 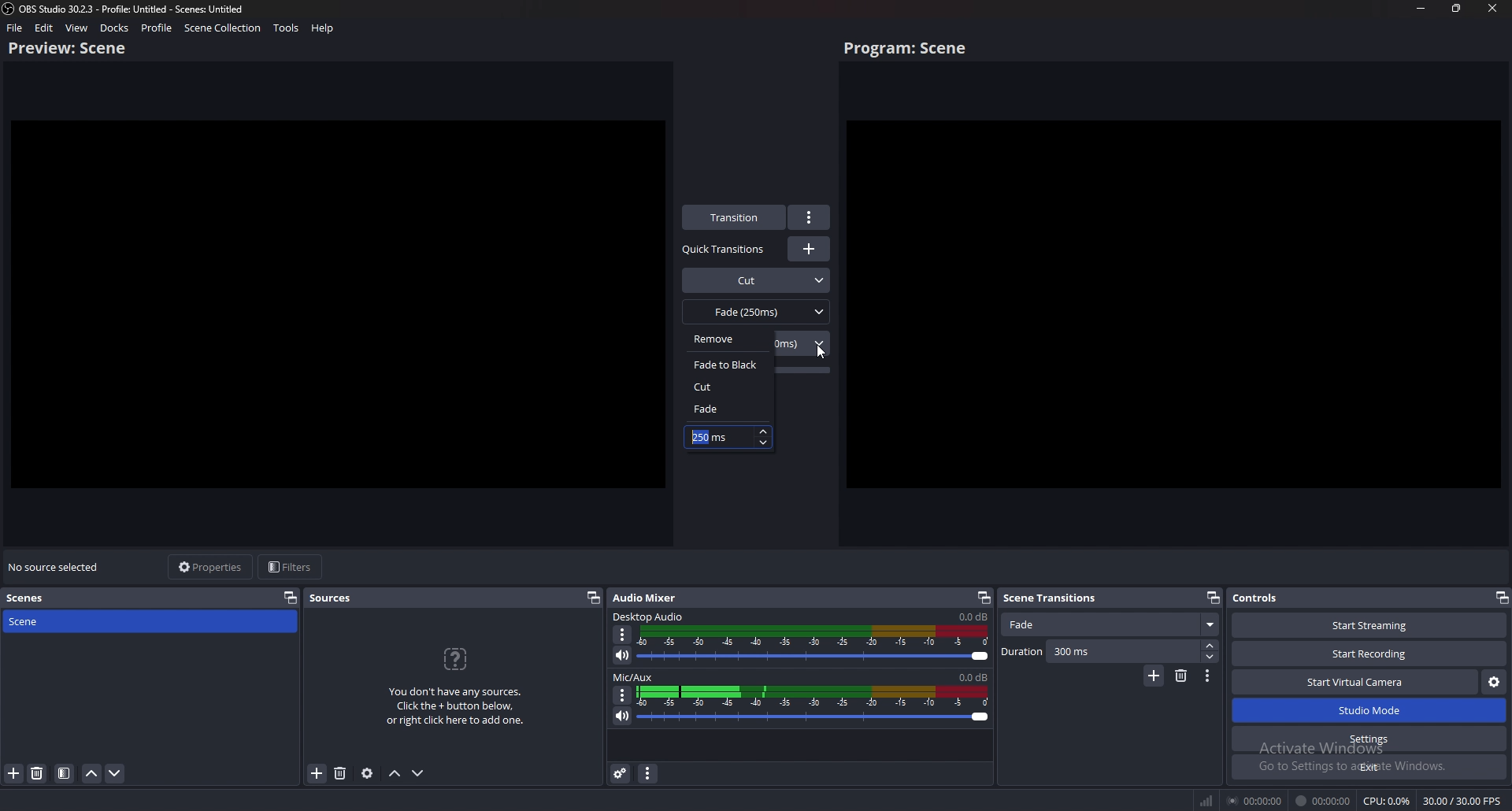 I want to click on Add scene transitions, so click(x=1153, y=676).